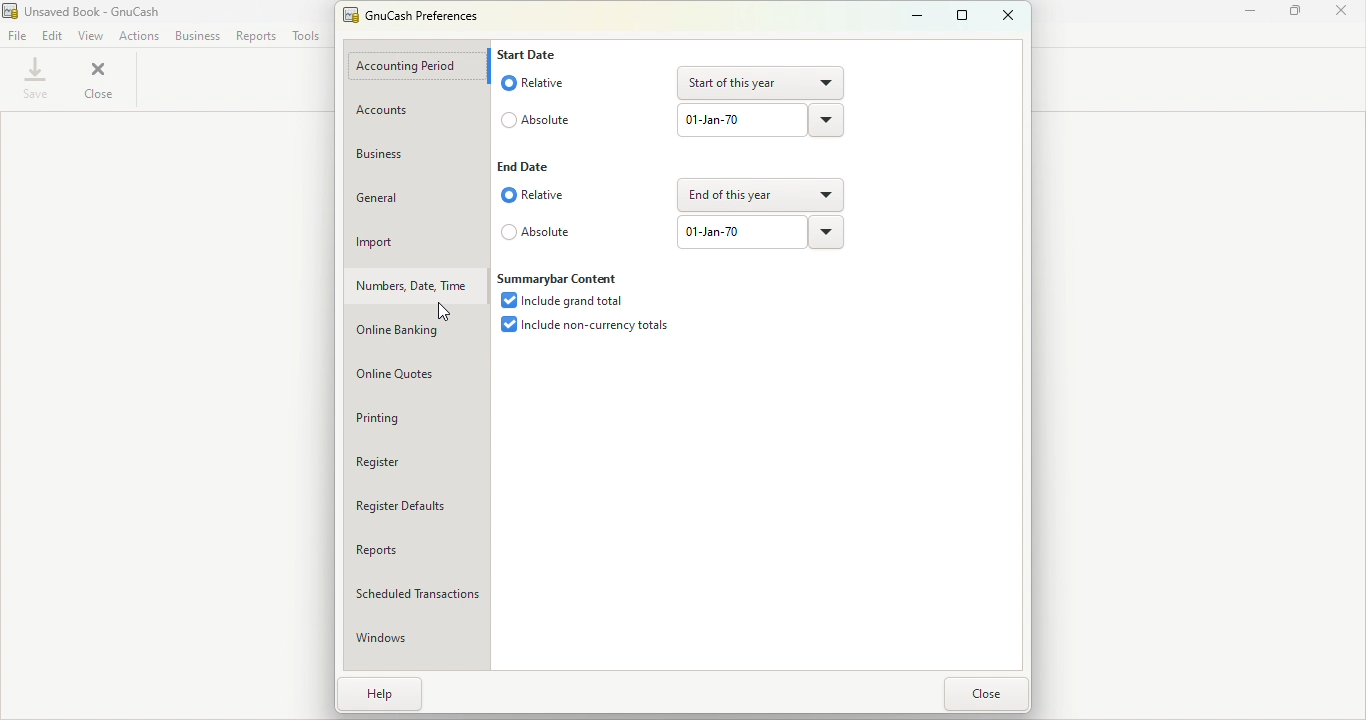 The width and height of the screenshot is (1366, 720). What do you see at coordinates (558, 299) in the screenshot?
I see `Include grand total` at bounding box center [558, 299].